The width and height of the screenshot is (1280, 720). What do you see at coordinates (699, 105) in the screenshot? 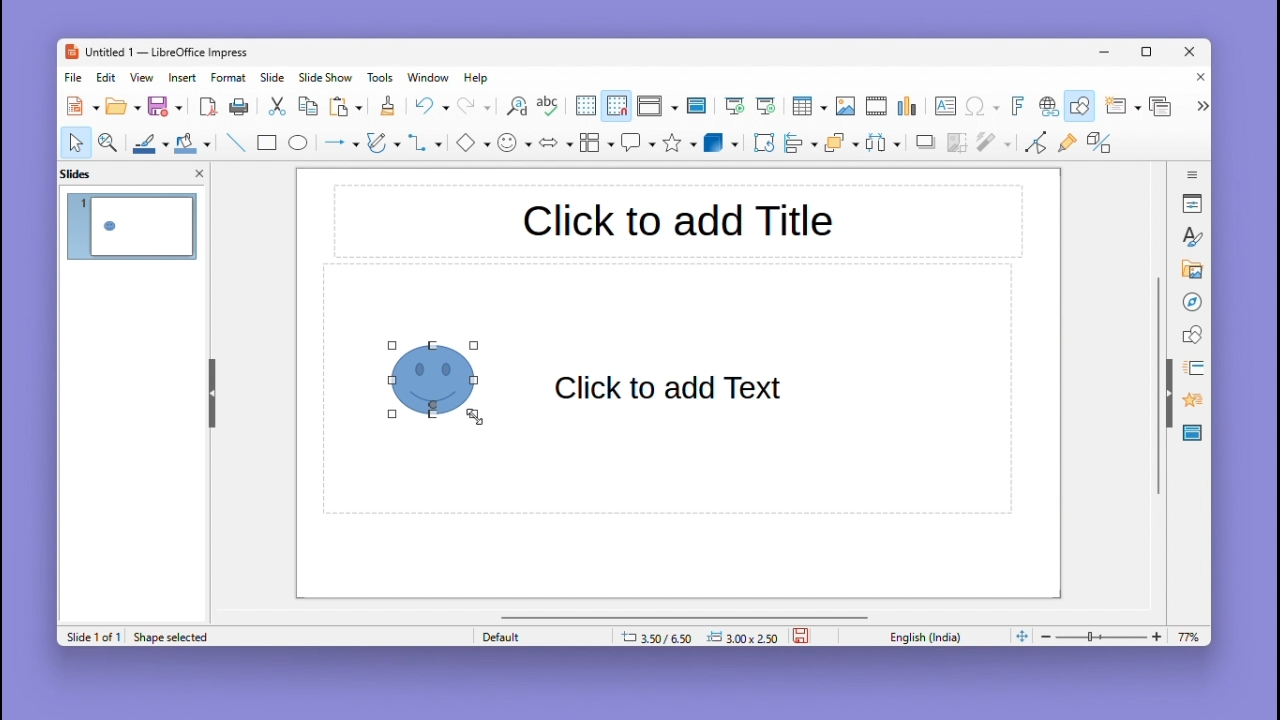
I see `Master slide` at bounding box center [699, 105].